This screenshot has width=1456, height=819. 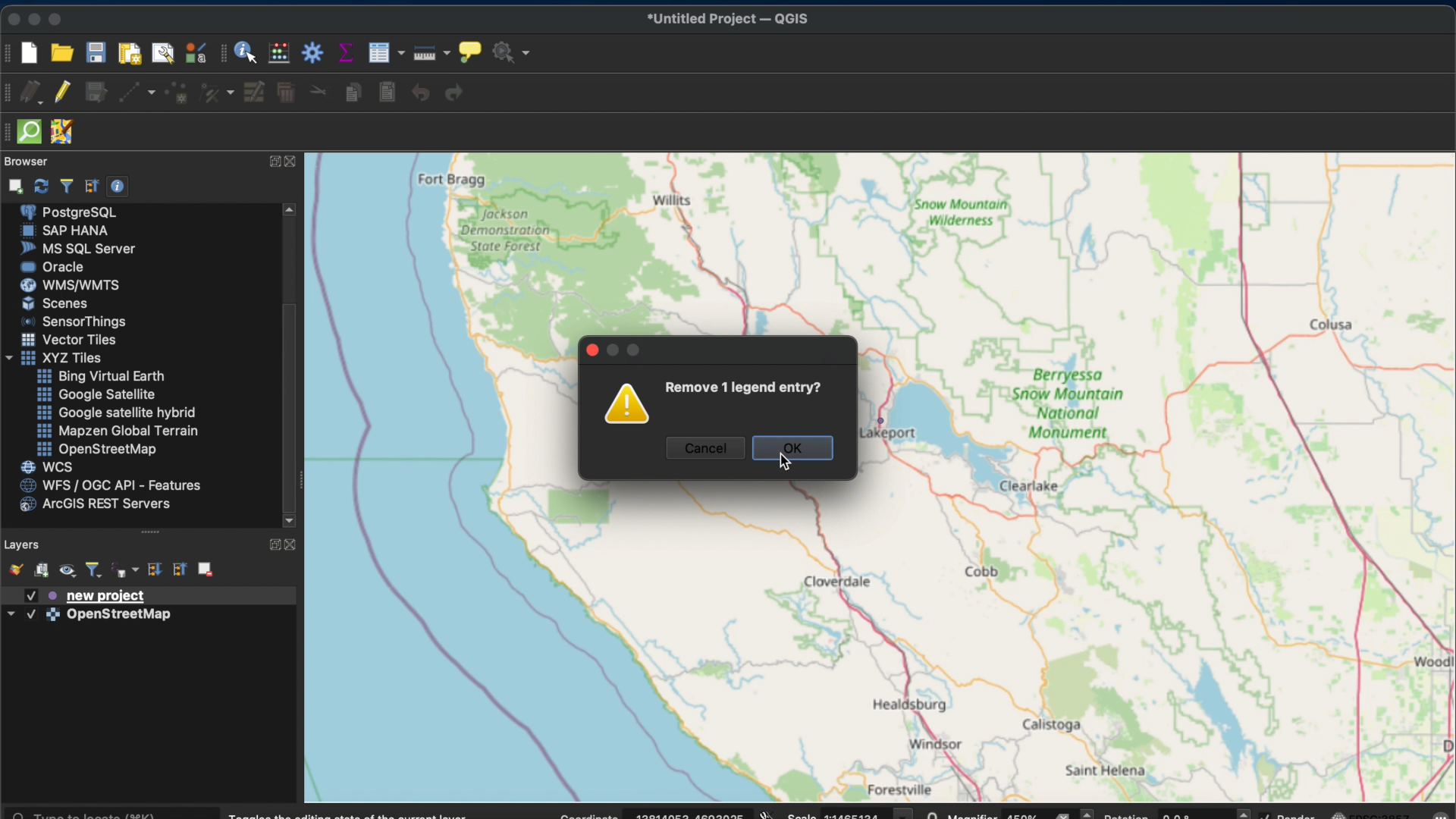 What do you see at coordinates (385, 52) in the screenshot?
I see `open attribute table` at bounding box center [385, 52].